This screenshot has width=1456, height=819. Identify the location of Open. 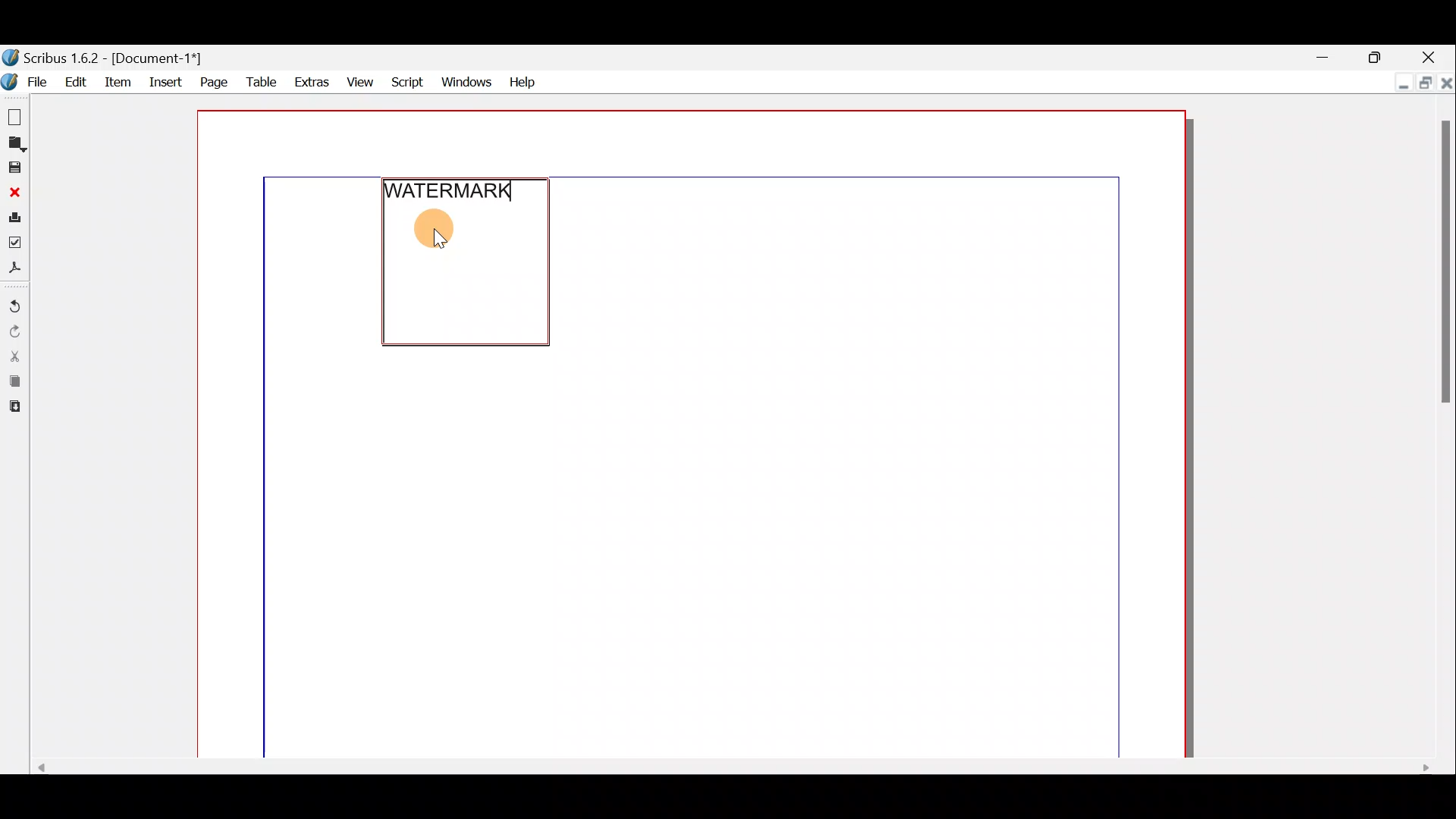
(14, 145).